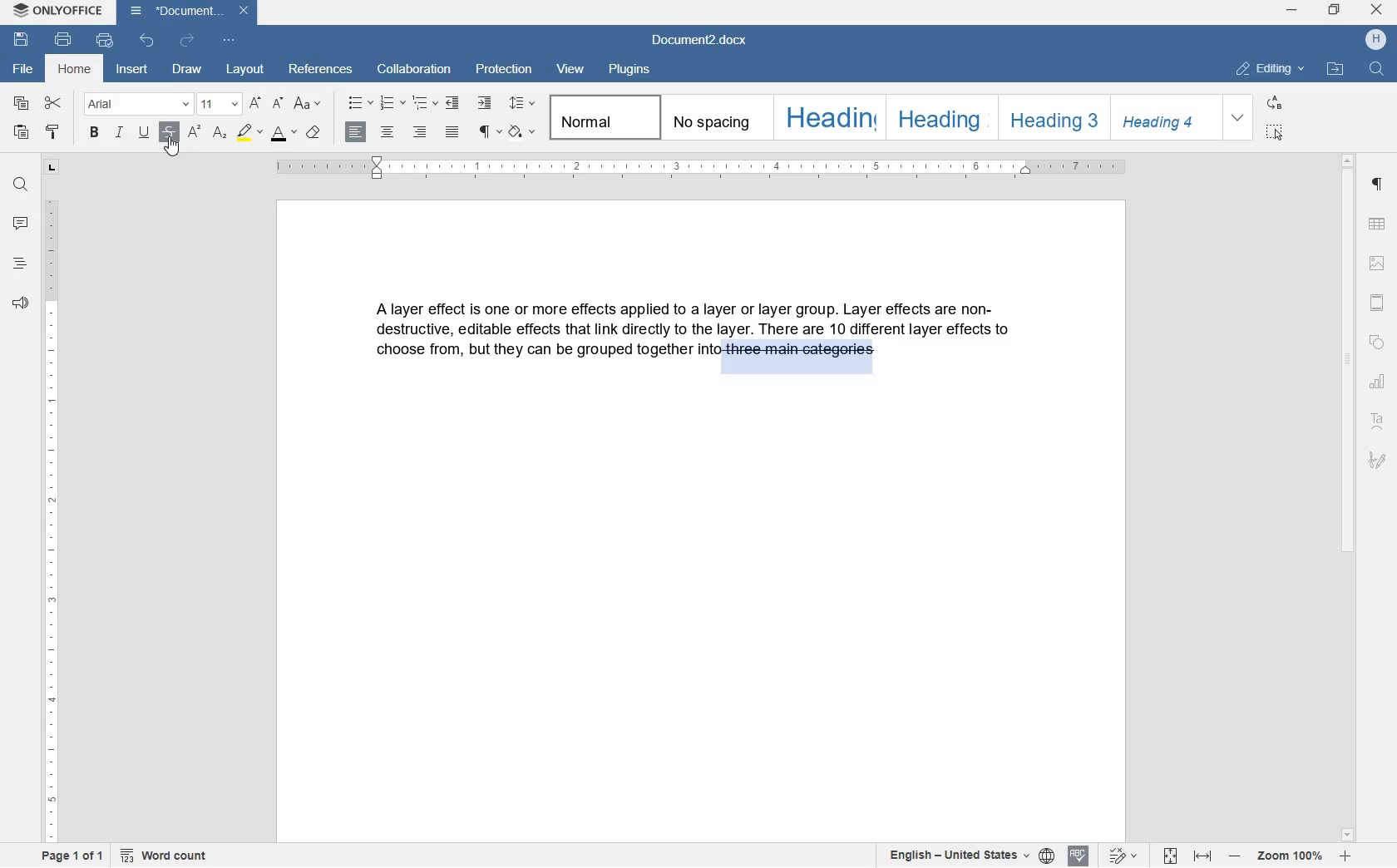 The image size is (1397, 868). Describe the element at coordinates (357, 133) in the screenshot. I see `align left` at that location.